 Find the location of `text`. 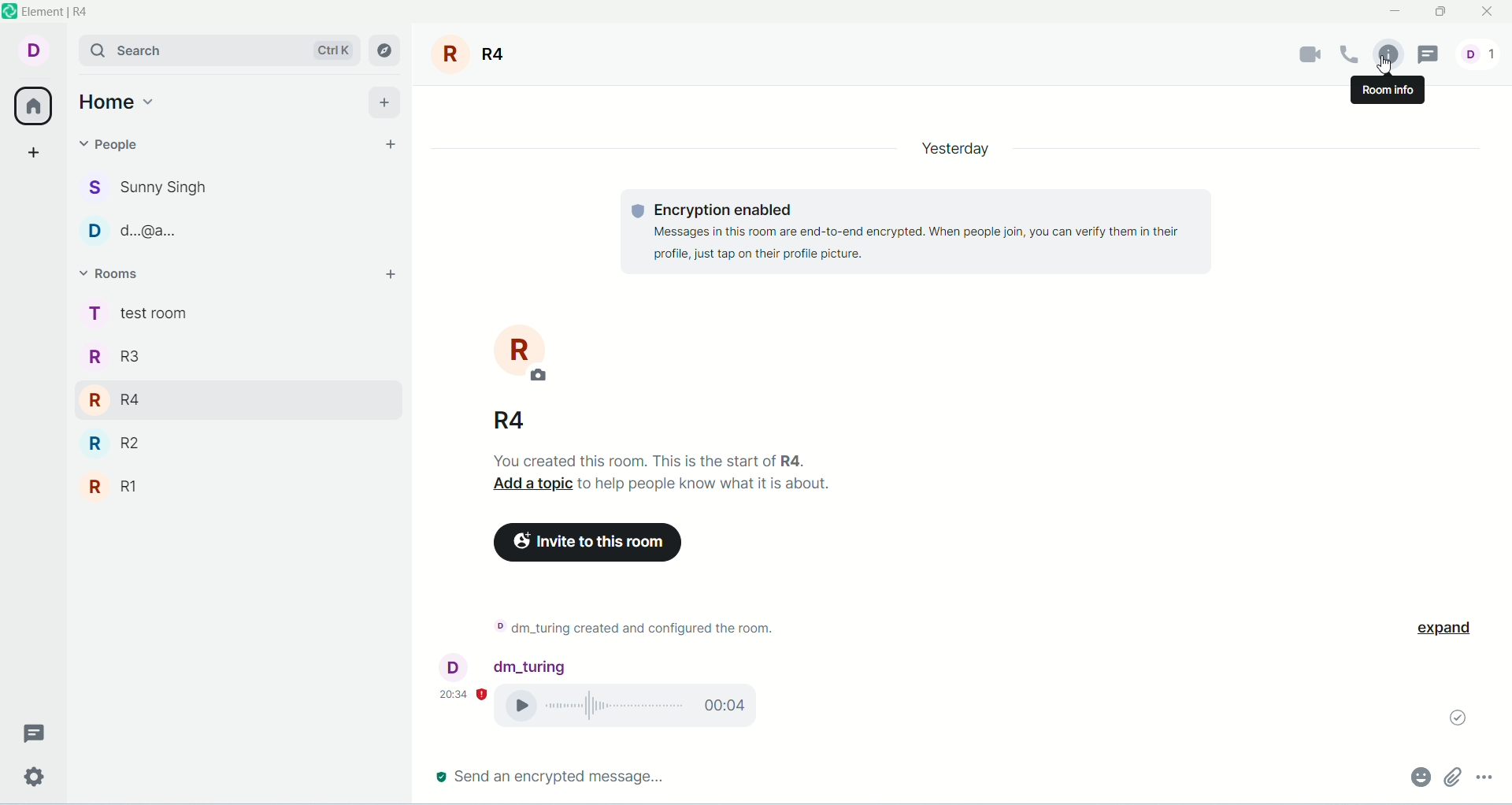

text is located at coordinates (669, 472).